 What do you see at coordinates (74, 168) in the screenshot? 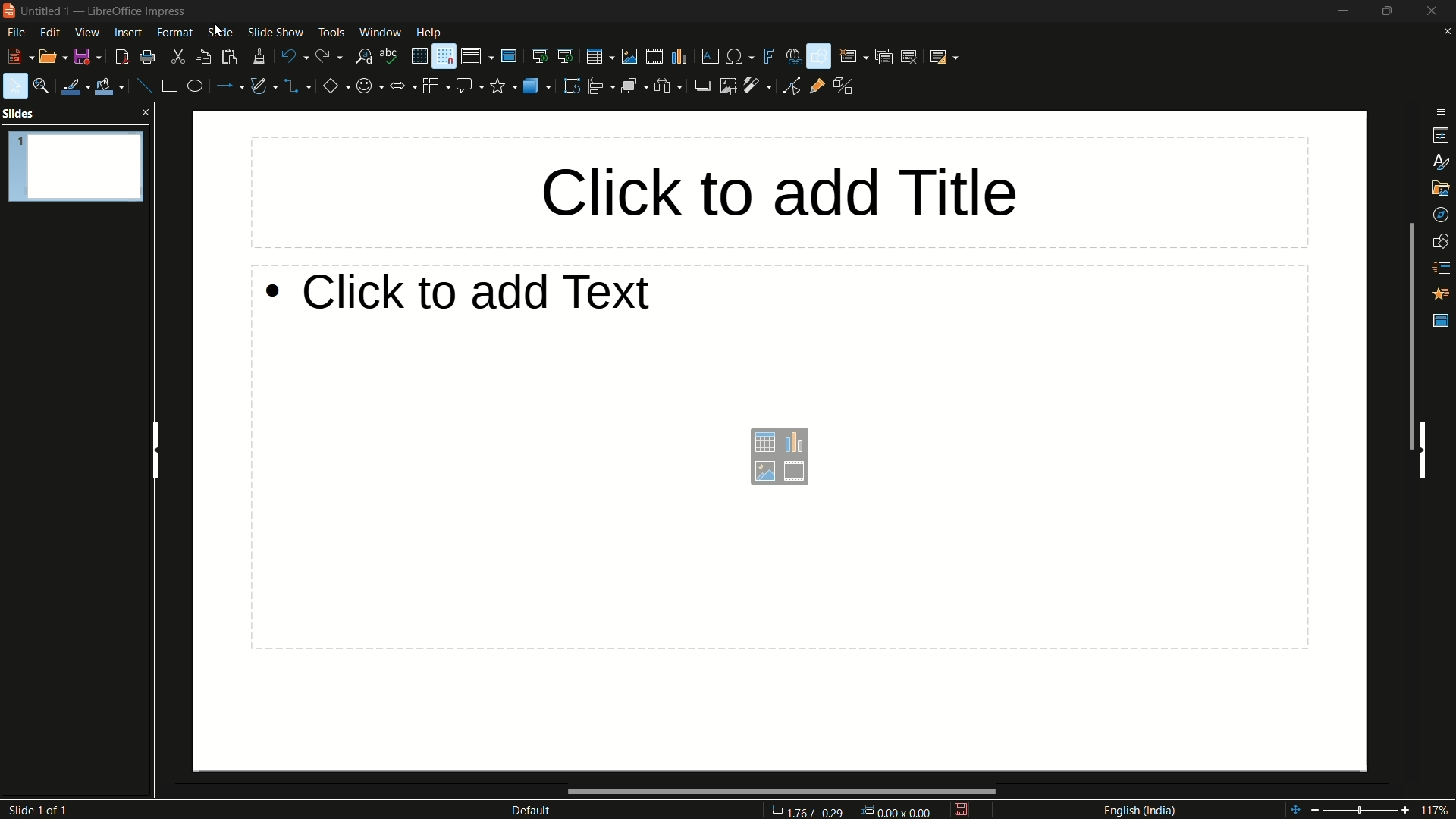
I see `slide-1` at bounding box center [74, 168].